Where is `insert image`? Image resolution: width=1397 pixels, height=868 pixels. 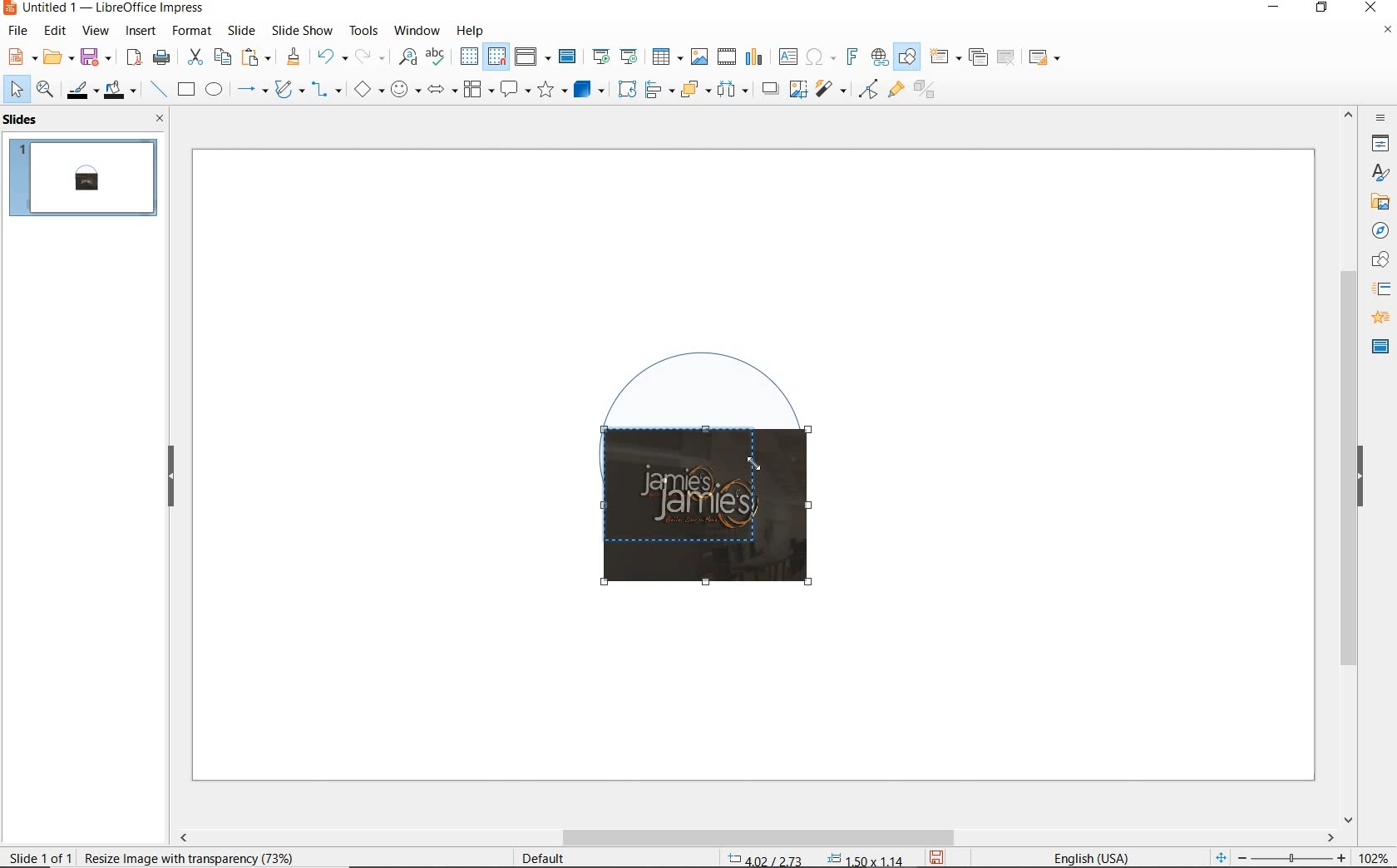 insert image is located at coordinates (698, 57).